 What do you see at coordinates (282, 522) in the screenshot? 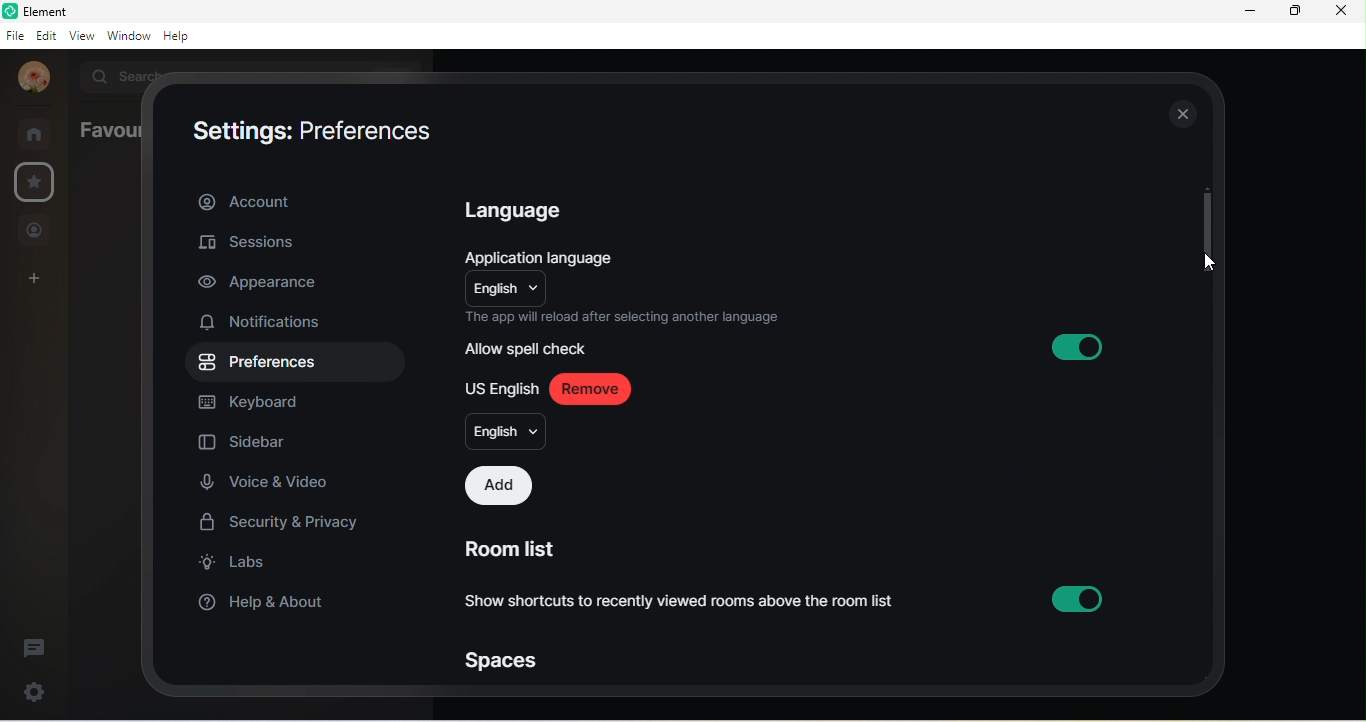
I see `security and privacy` at bounding box center [282, 522].